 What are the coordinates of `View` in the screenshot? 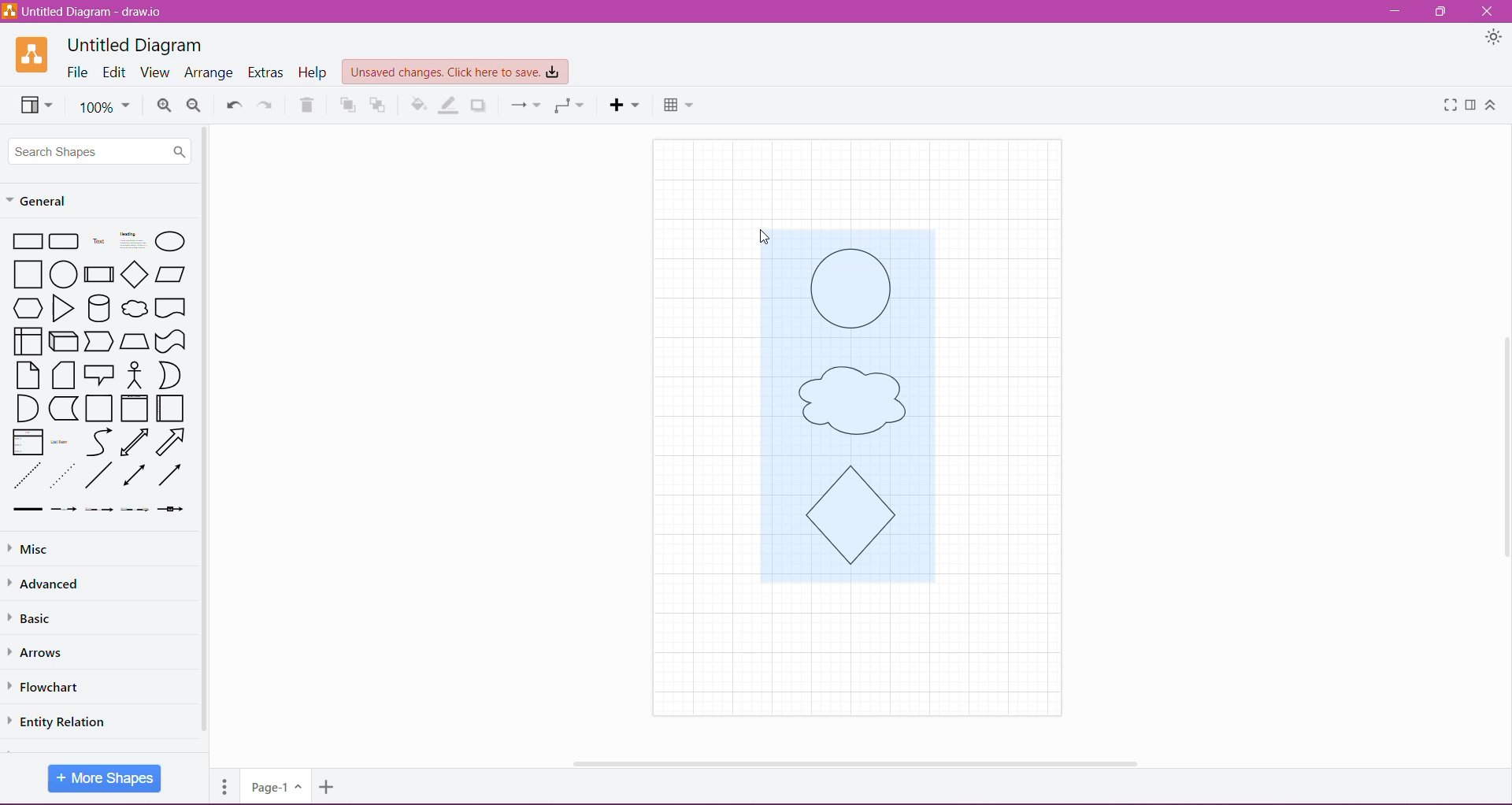 It's located at (33, 104).